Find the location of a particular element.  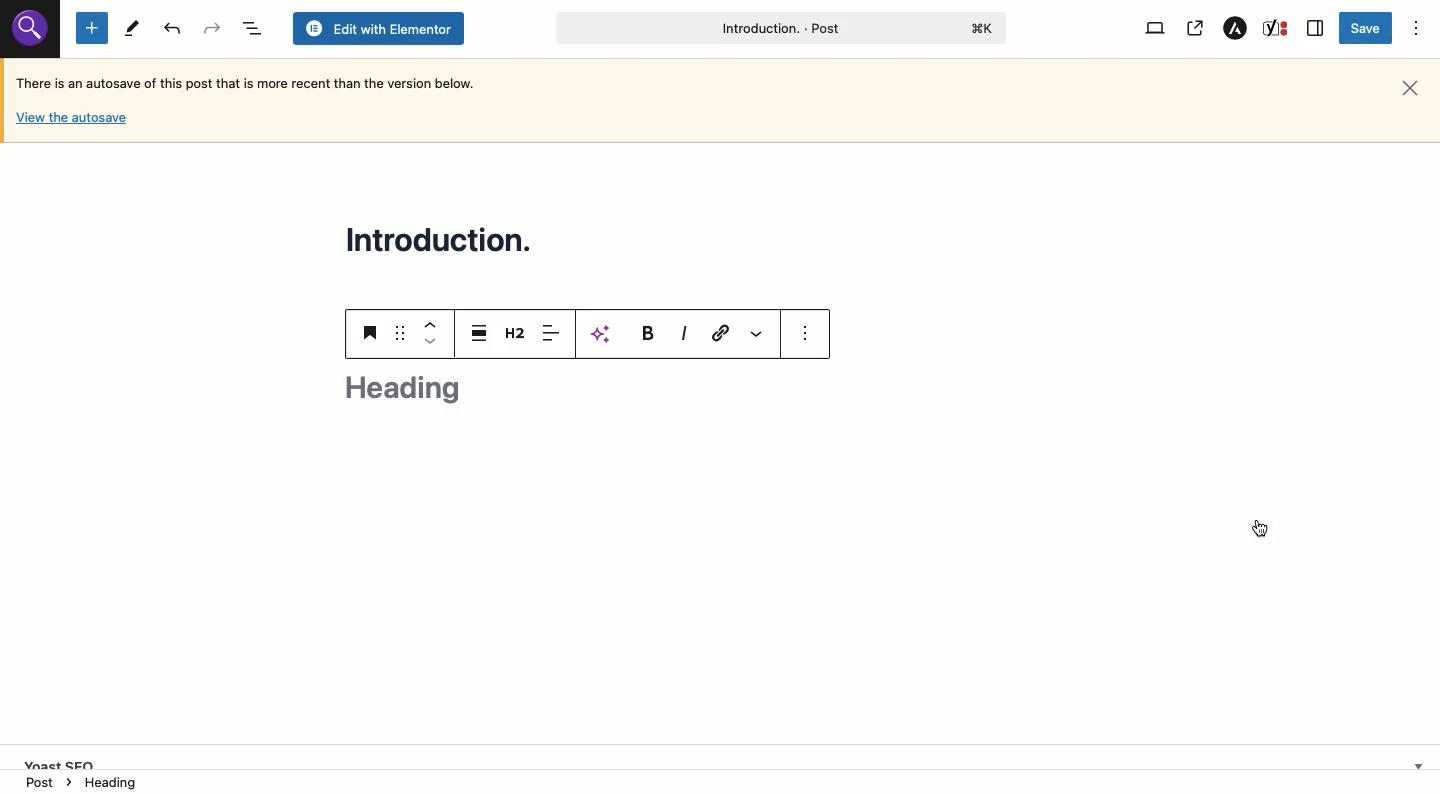

more options is located at coordinates (806, 332).